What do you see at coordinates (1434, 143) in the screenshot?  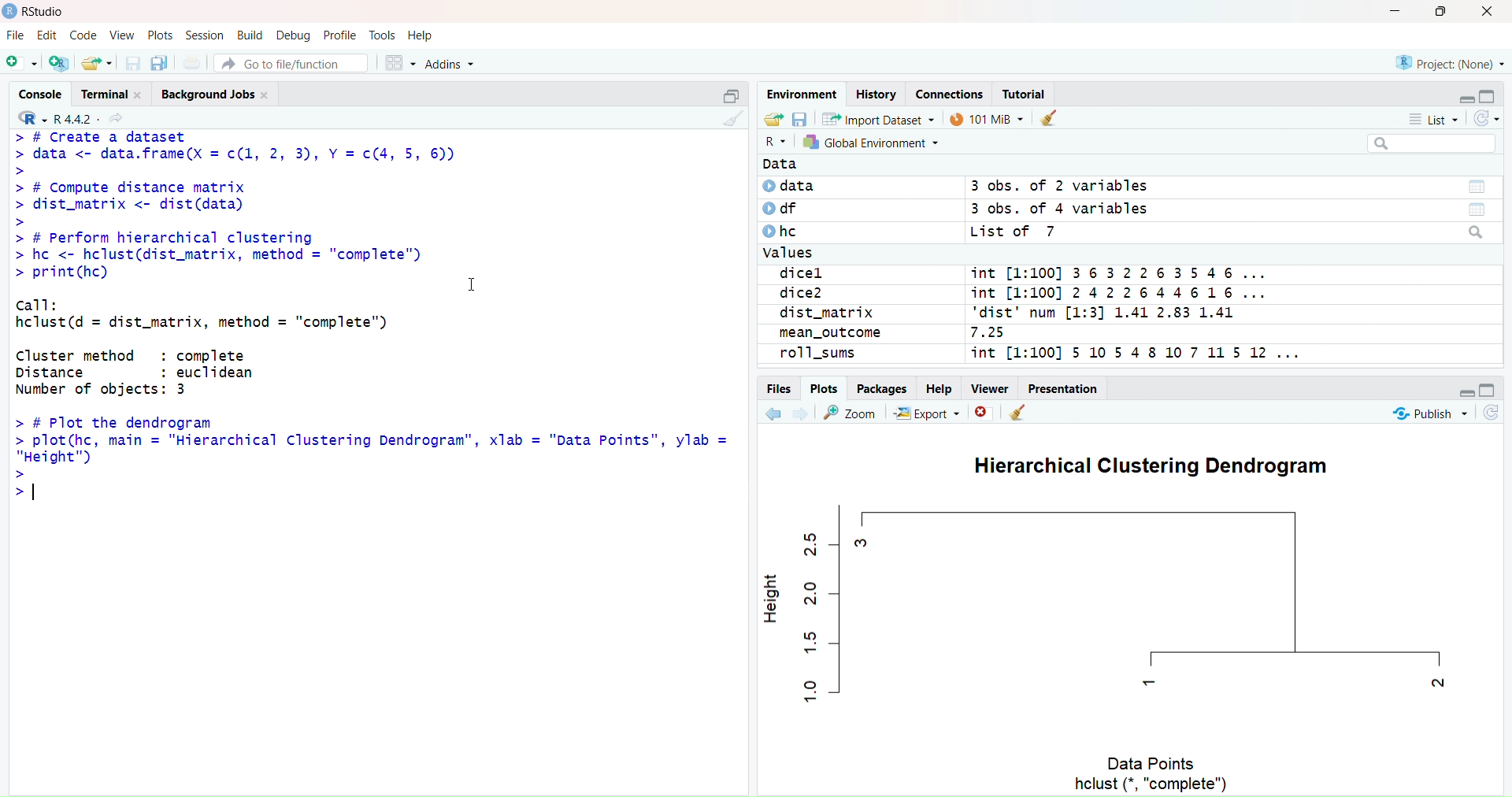 I see `Search bar` at bounding box center [1434, 143].